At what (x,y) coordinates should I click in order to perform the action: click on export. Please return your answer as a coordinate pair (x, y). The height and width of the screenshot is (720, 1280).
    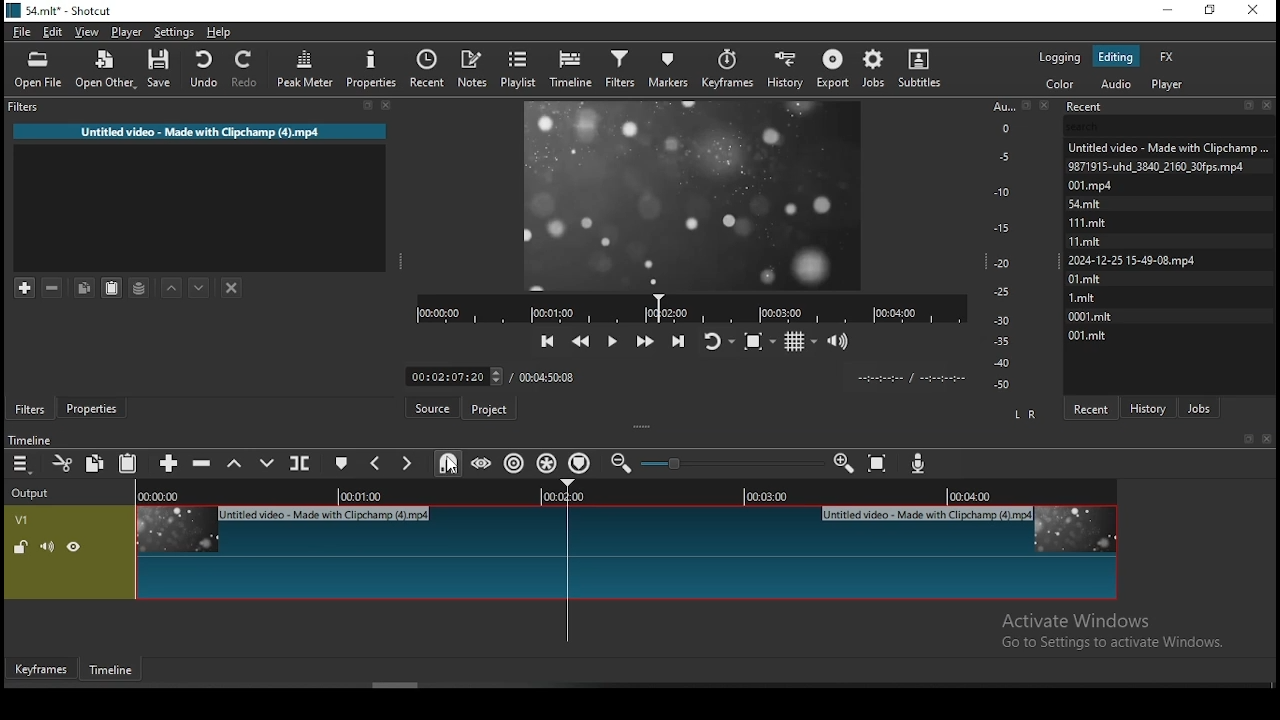
    Looking at the image, I should click on (831, 70).